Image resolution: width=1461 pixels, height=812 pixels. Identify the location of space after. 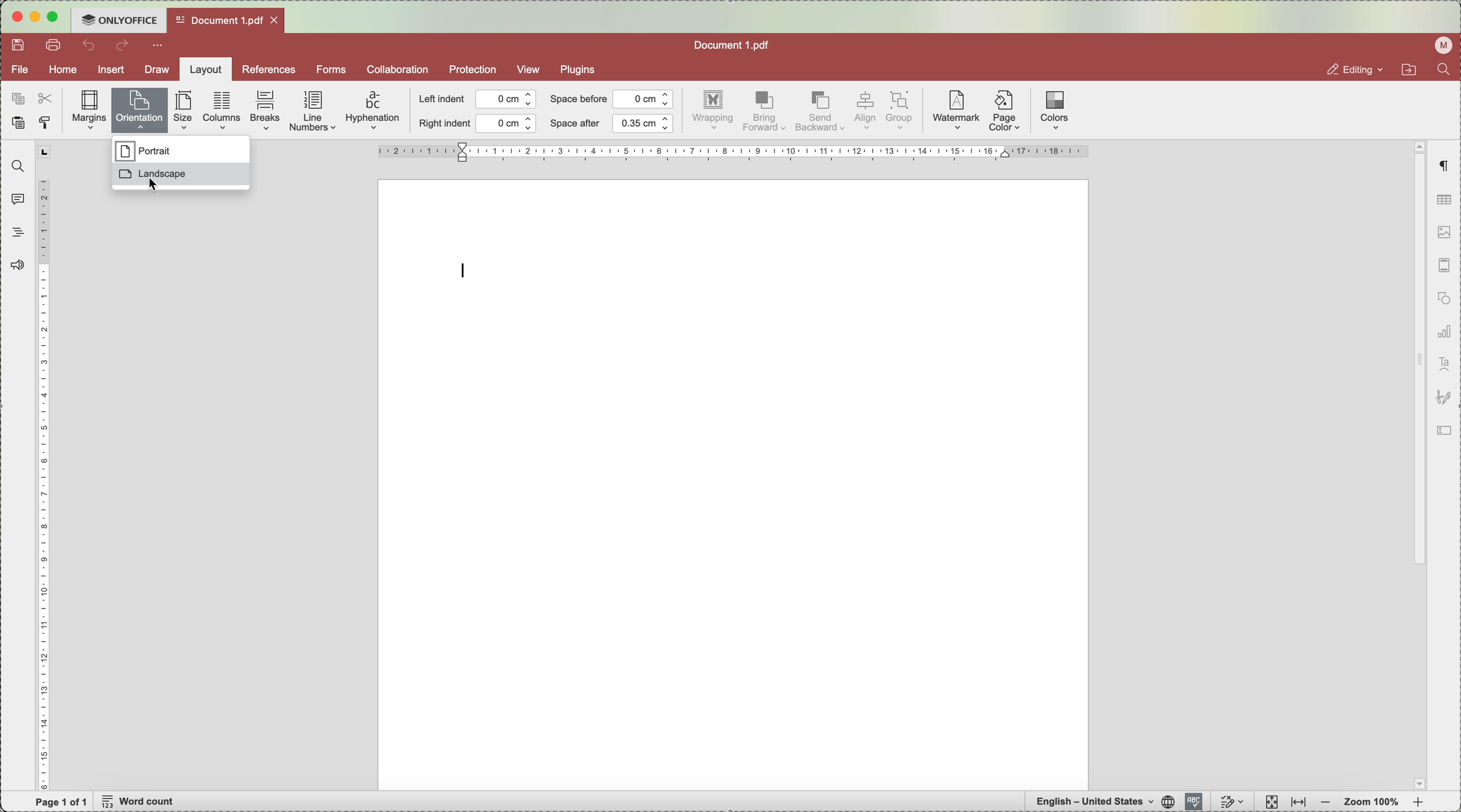
(612, 124).